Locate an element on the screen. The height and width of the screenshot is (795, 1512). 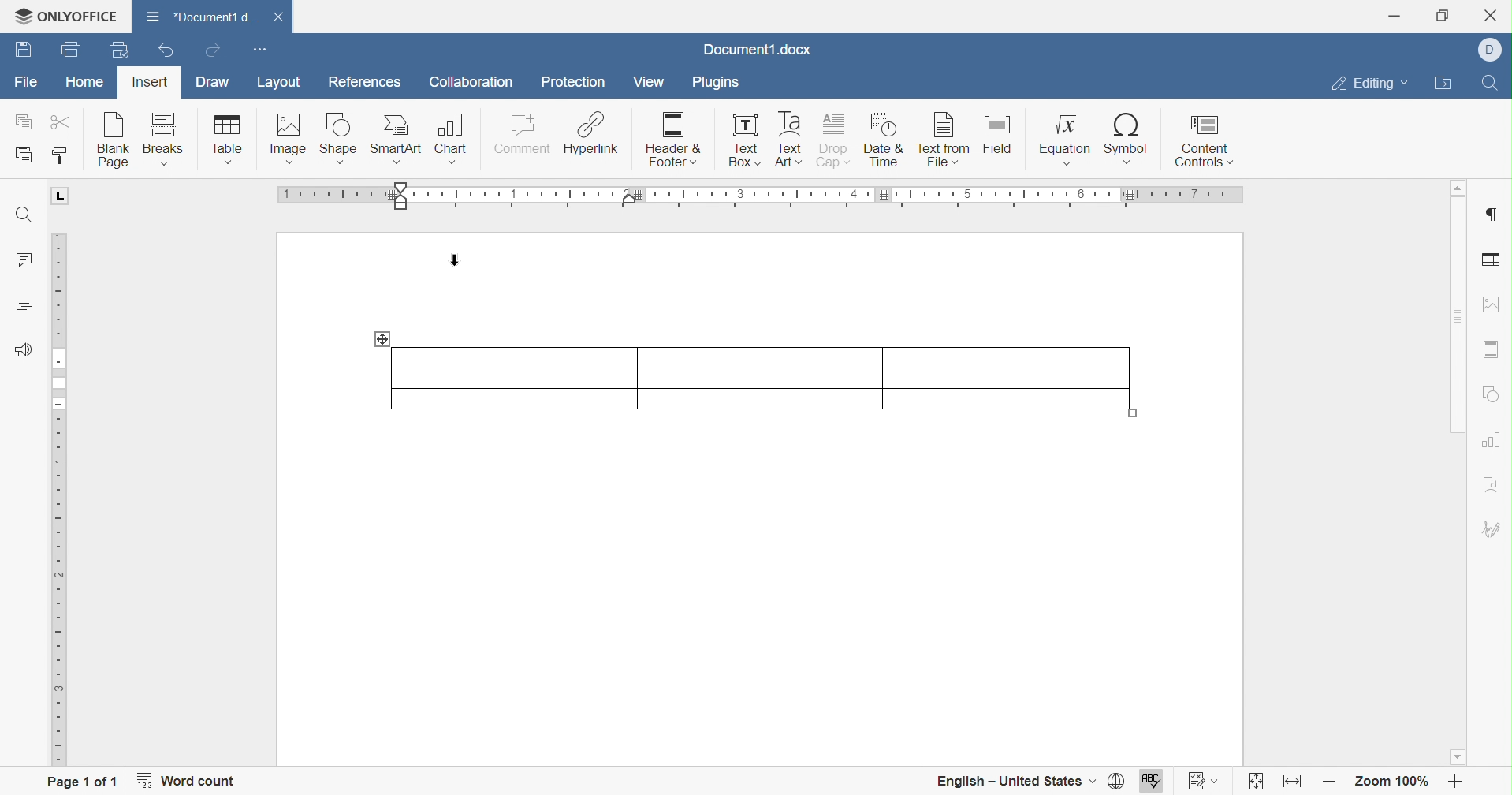
Signature settings is located at coordinates (1496, 529).